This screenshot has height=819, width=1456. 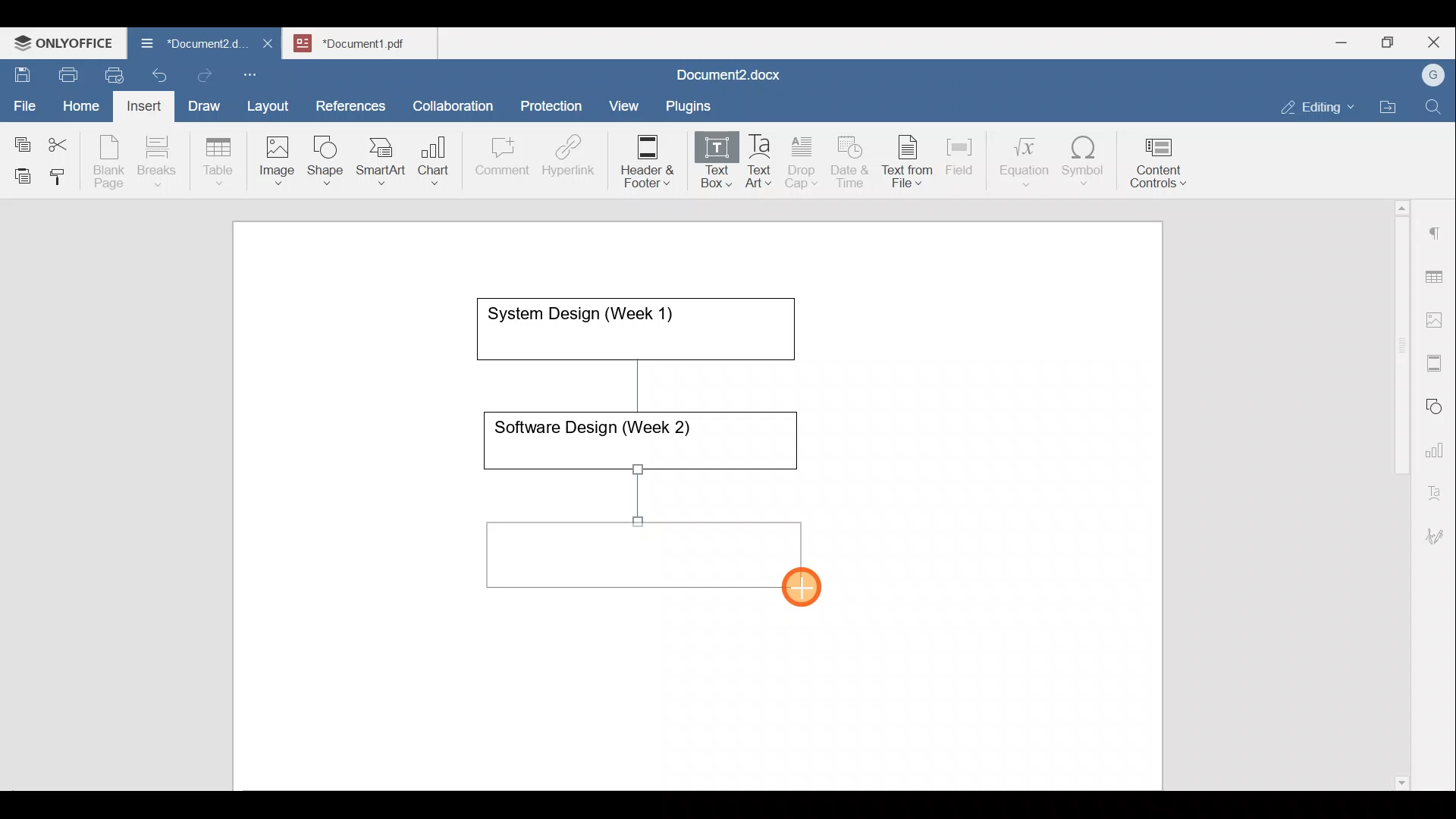 I want to click on Comment, so click(x=497, y=160).